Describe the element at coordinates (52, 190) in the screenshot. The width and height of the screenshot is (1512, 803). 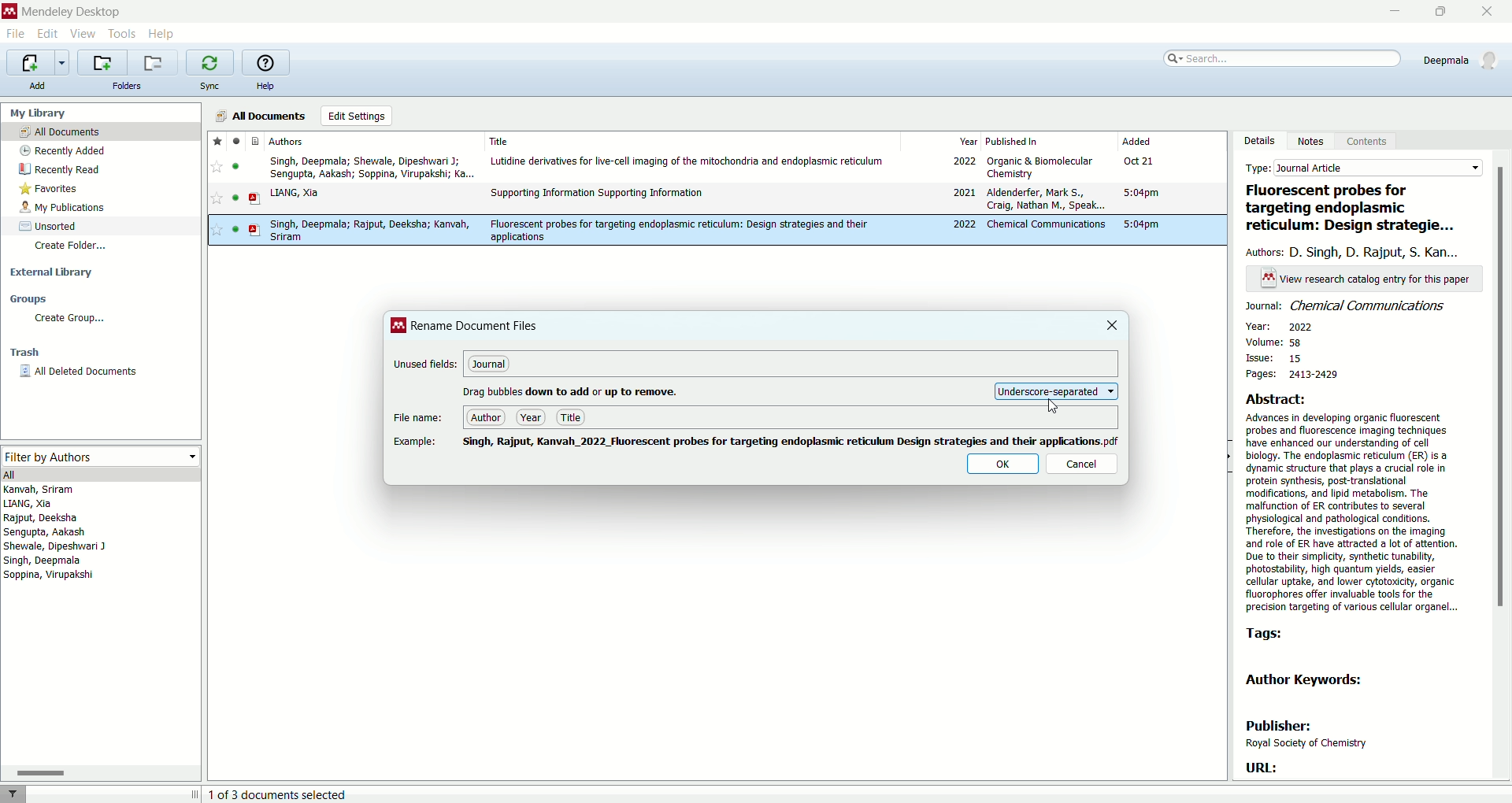
I see `favorites` at that location.